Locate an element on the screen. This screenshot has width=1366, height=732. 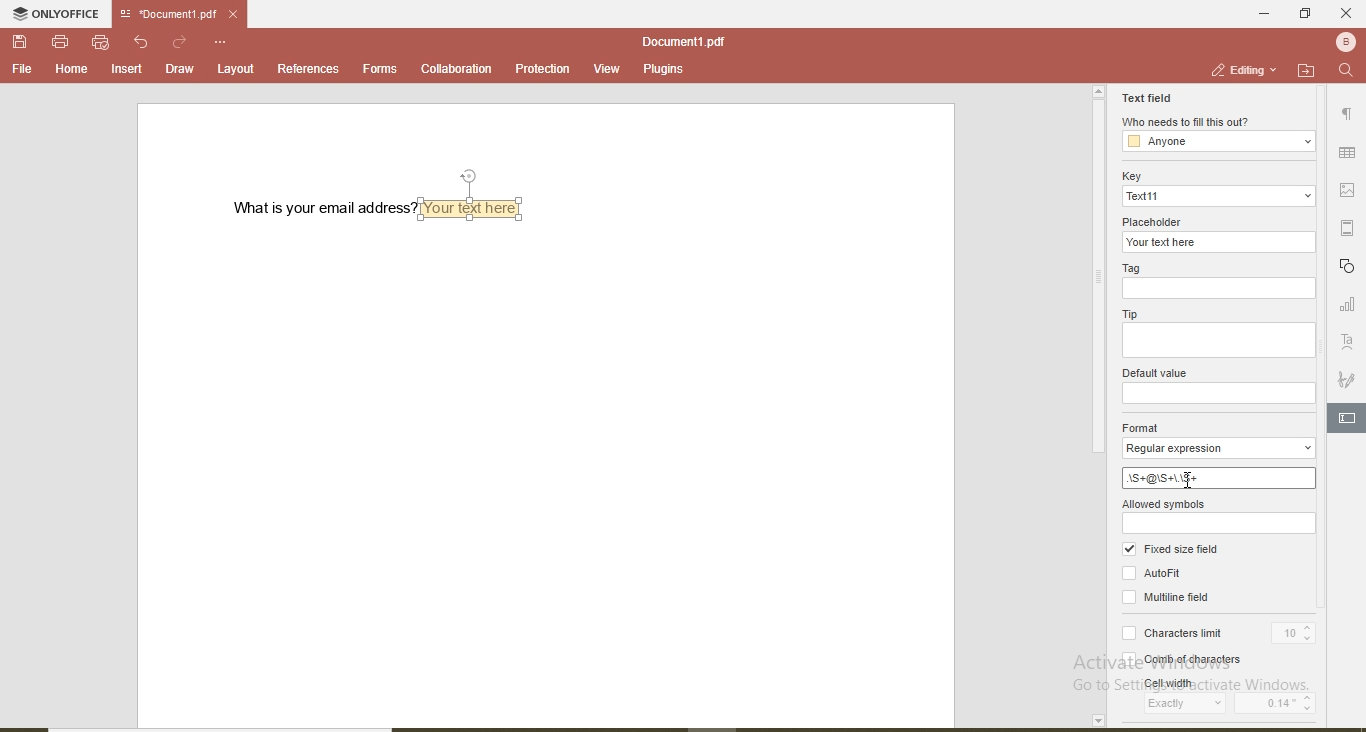
text field  is located at coordinates (1147, 96).